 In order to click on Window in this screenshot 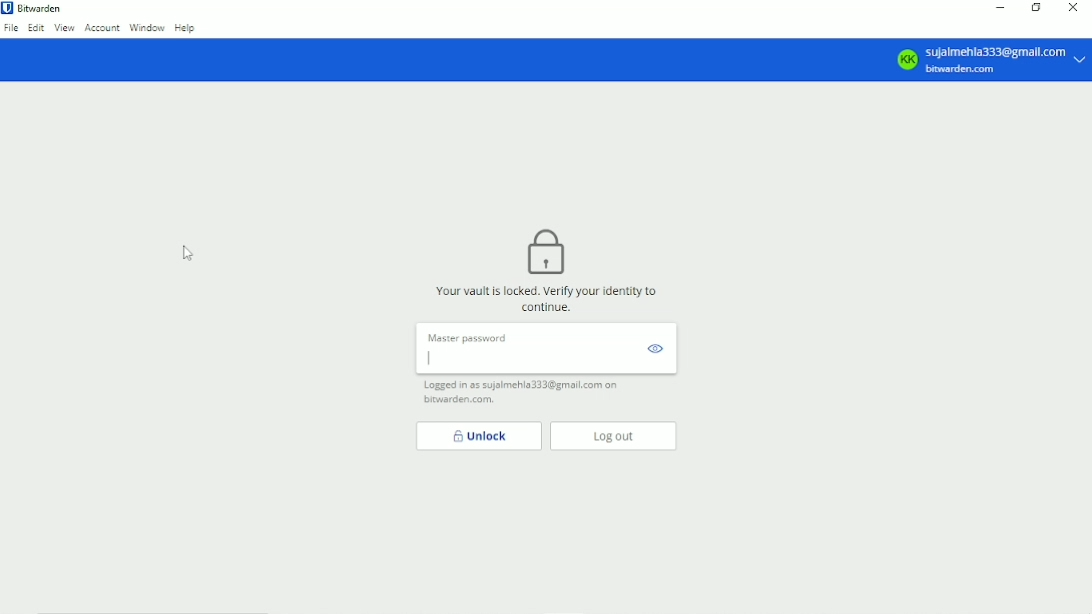, I will do `click(146, 26)`.